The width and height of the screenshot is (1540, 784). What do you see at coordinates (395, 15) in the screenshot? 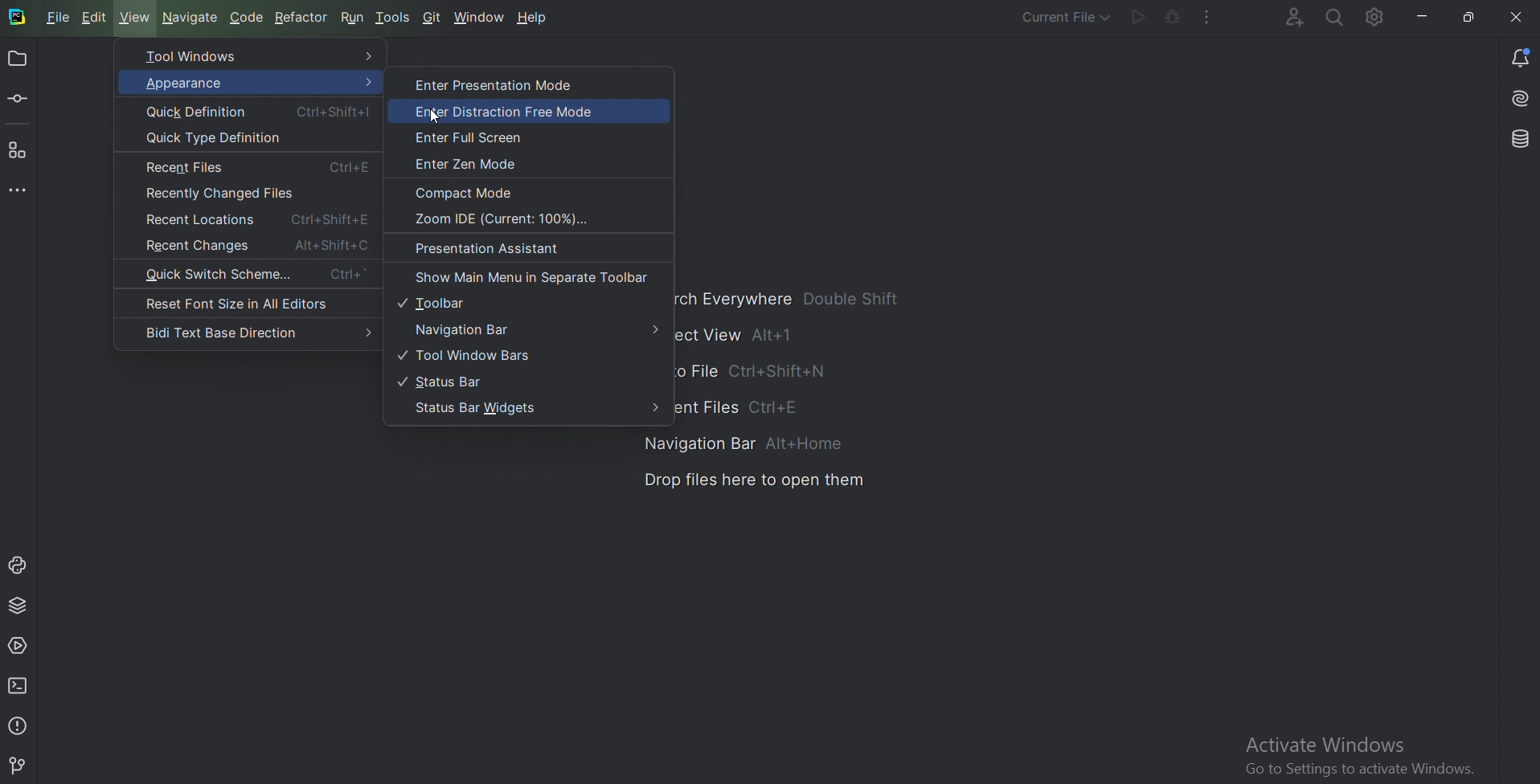
I see `Tools` at bounding box center [395, 15].